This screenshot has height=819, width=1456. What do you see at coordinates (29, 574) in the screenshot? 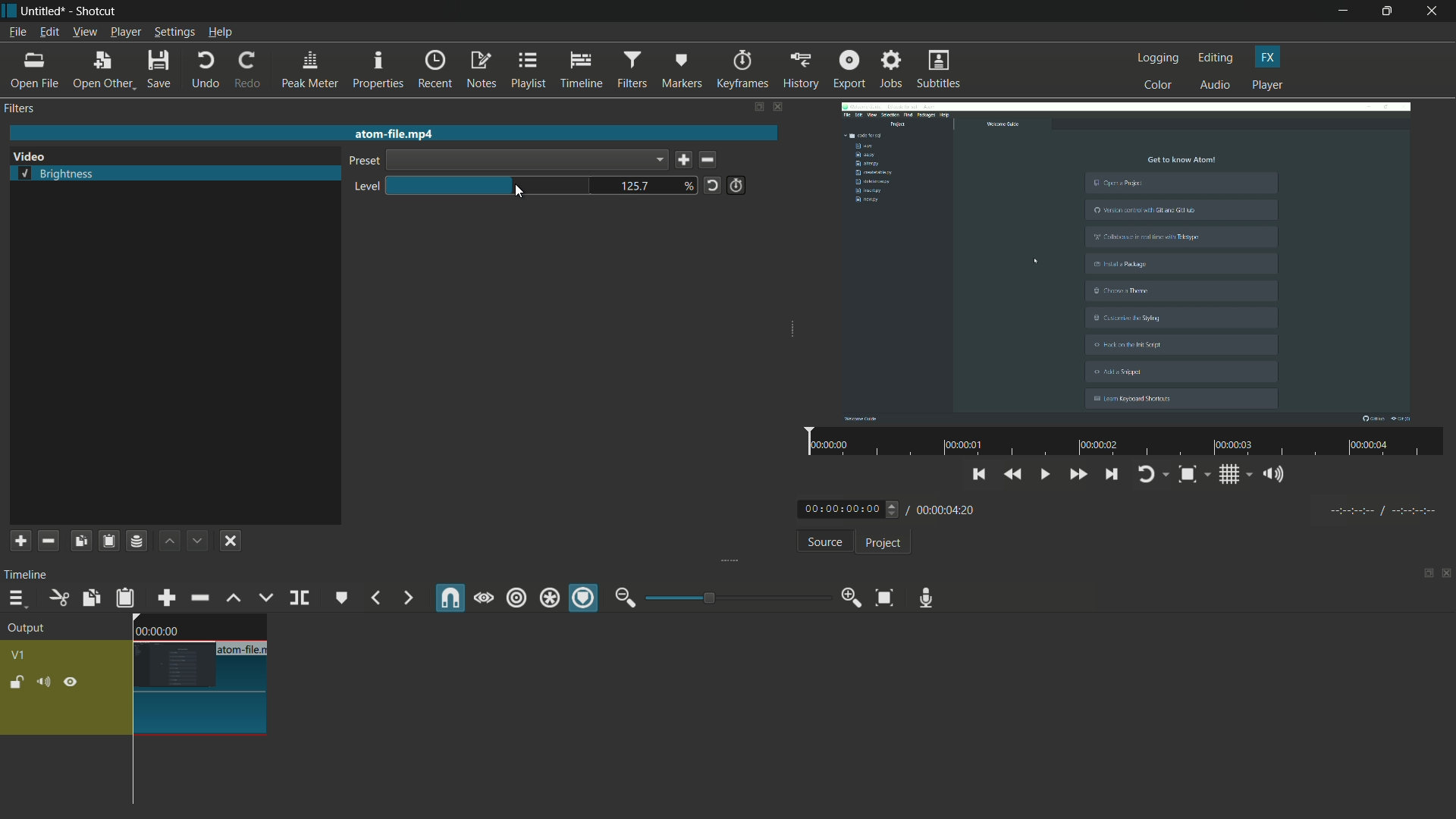
I see `timeline` at bounding box center [29, 574].